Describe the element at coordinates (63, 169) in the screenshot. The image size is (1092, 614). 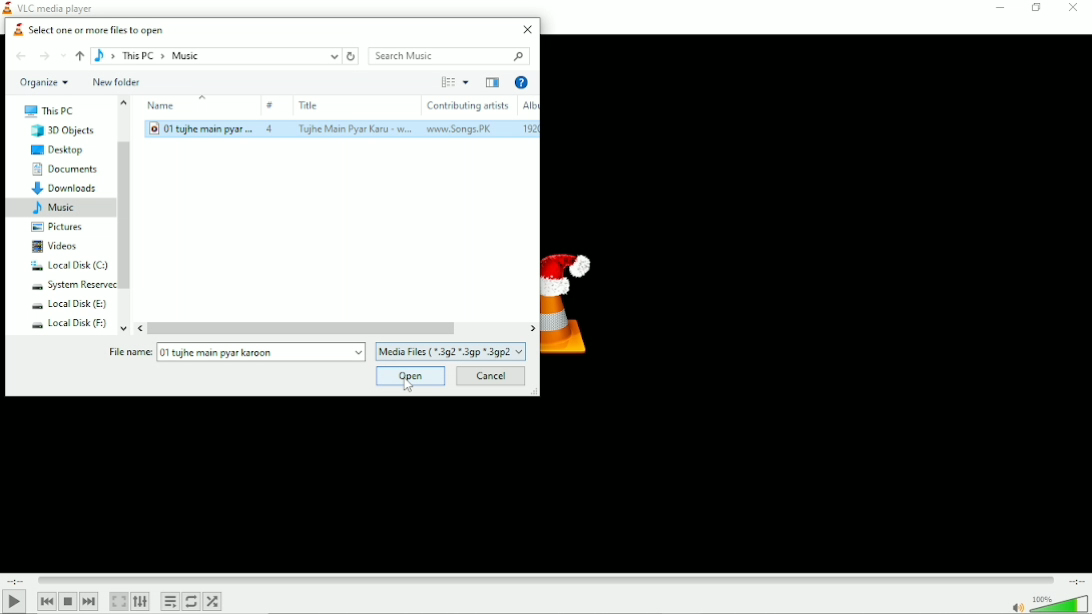
I see `Documents` at that location.